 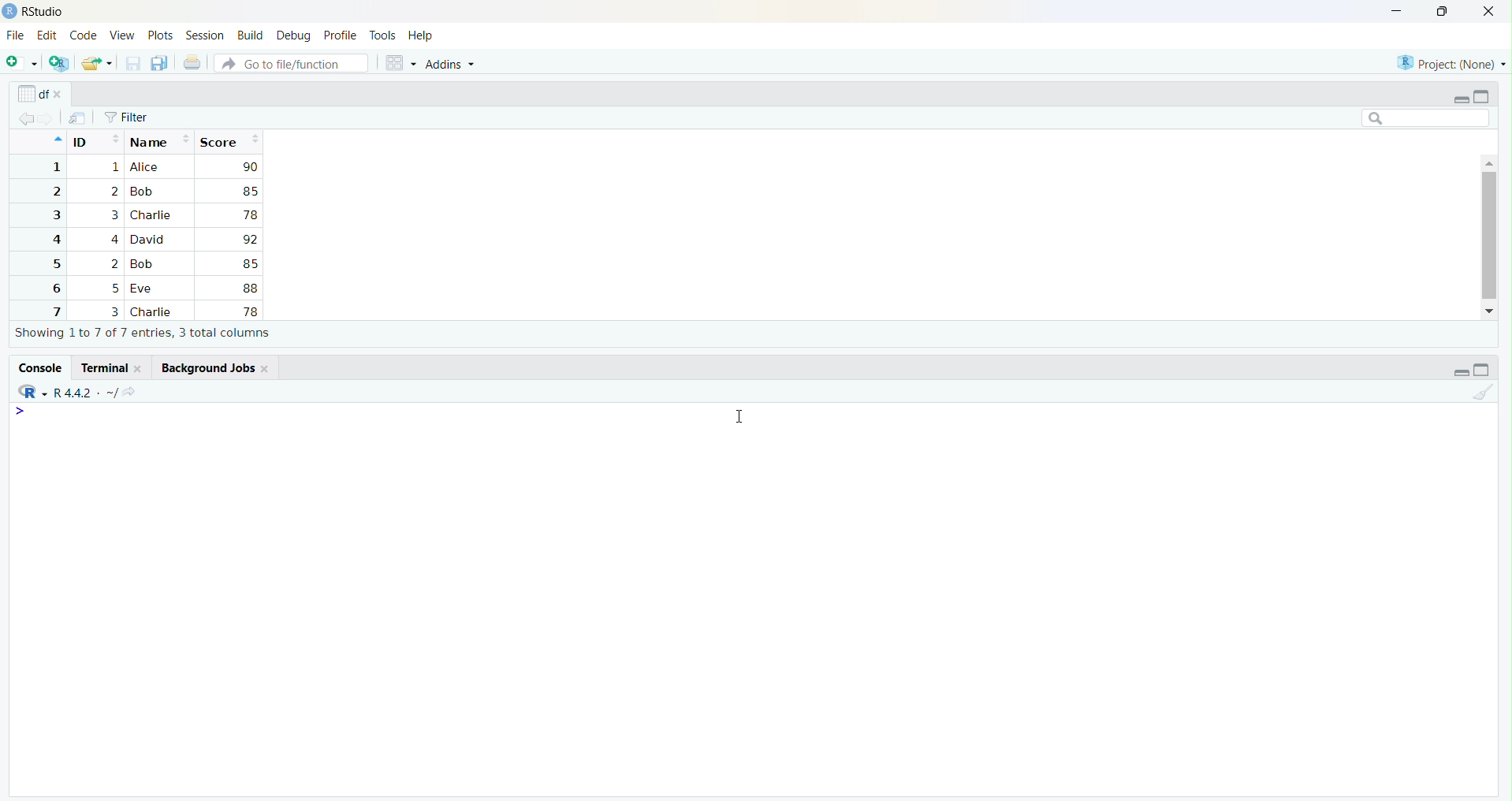 I want to click on Edit, so click(x=47, y=35).